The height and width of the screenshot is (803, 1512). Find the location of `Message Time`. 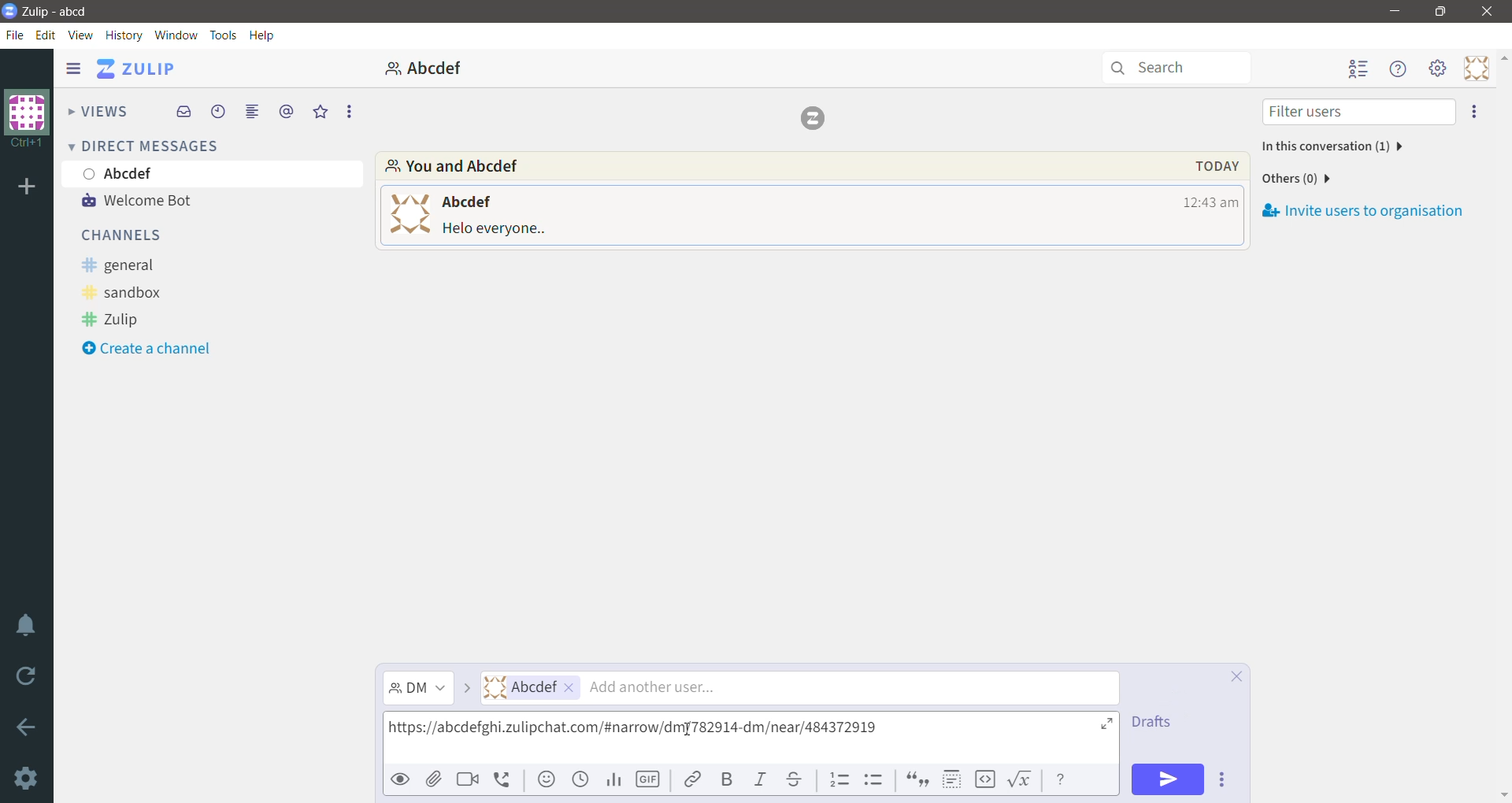

Message Time is located at coordinates (1210, 202).